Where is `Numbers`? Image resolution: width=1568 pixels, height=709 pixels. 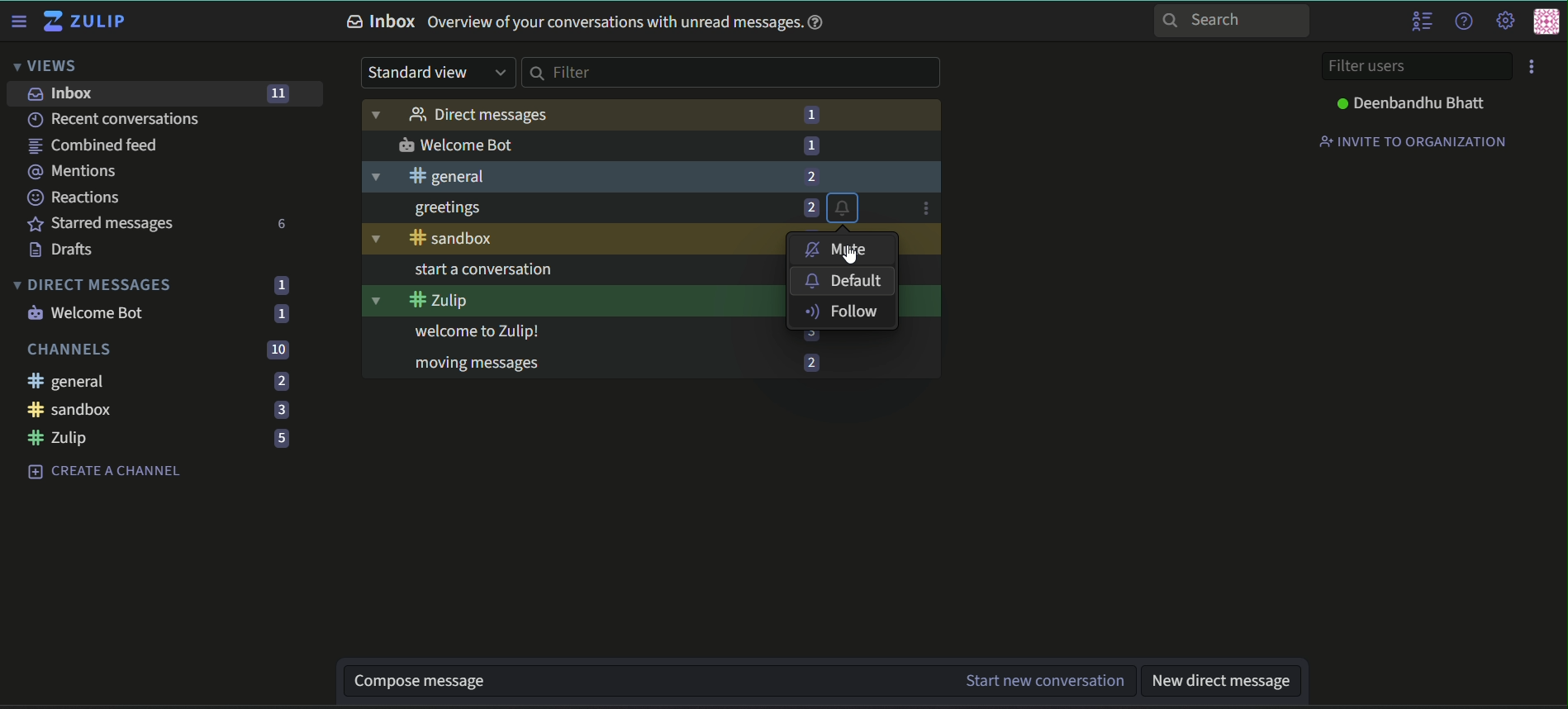
Numbers is located at coordinates (278, 409).